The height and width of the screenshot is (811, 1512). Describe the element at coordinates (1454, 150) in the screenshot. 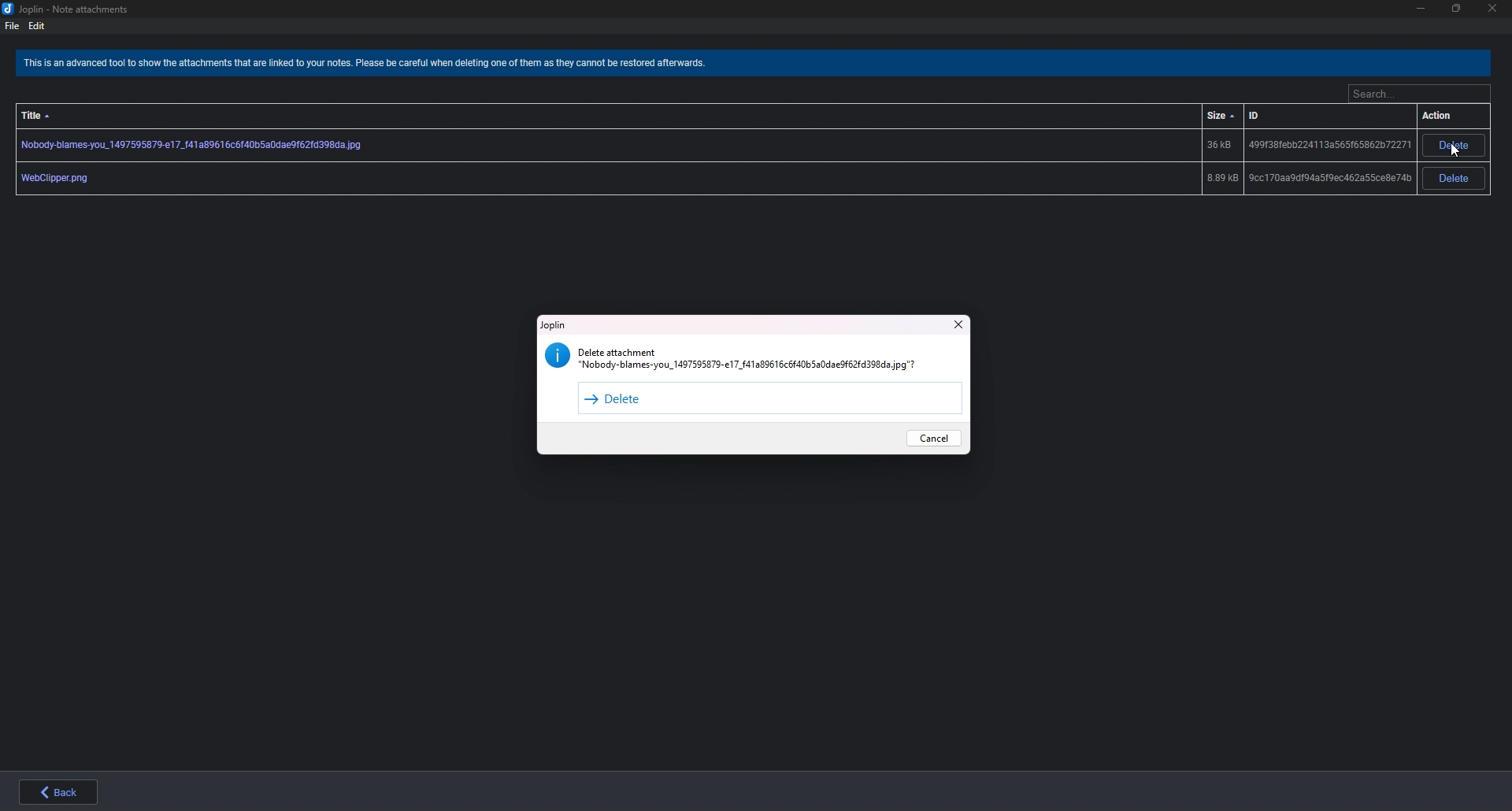

I see `cursor` at that location.